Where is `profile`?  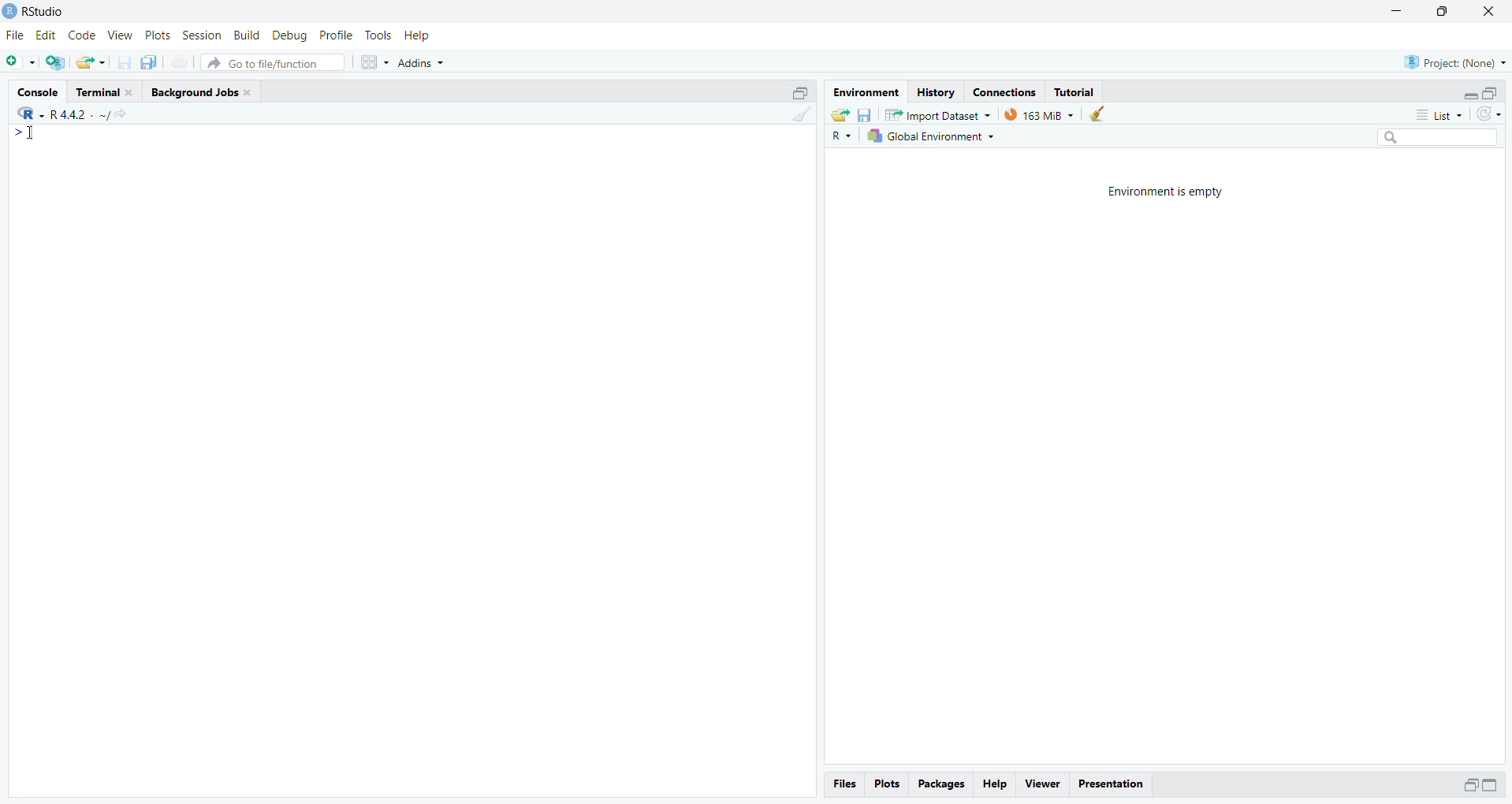
profile is located at coordinates (337, 35).